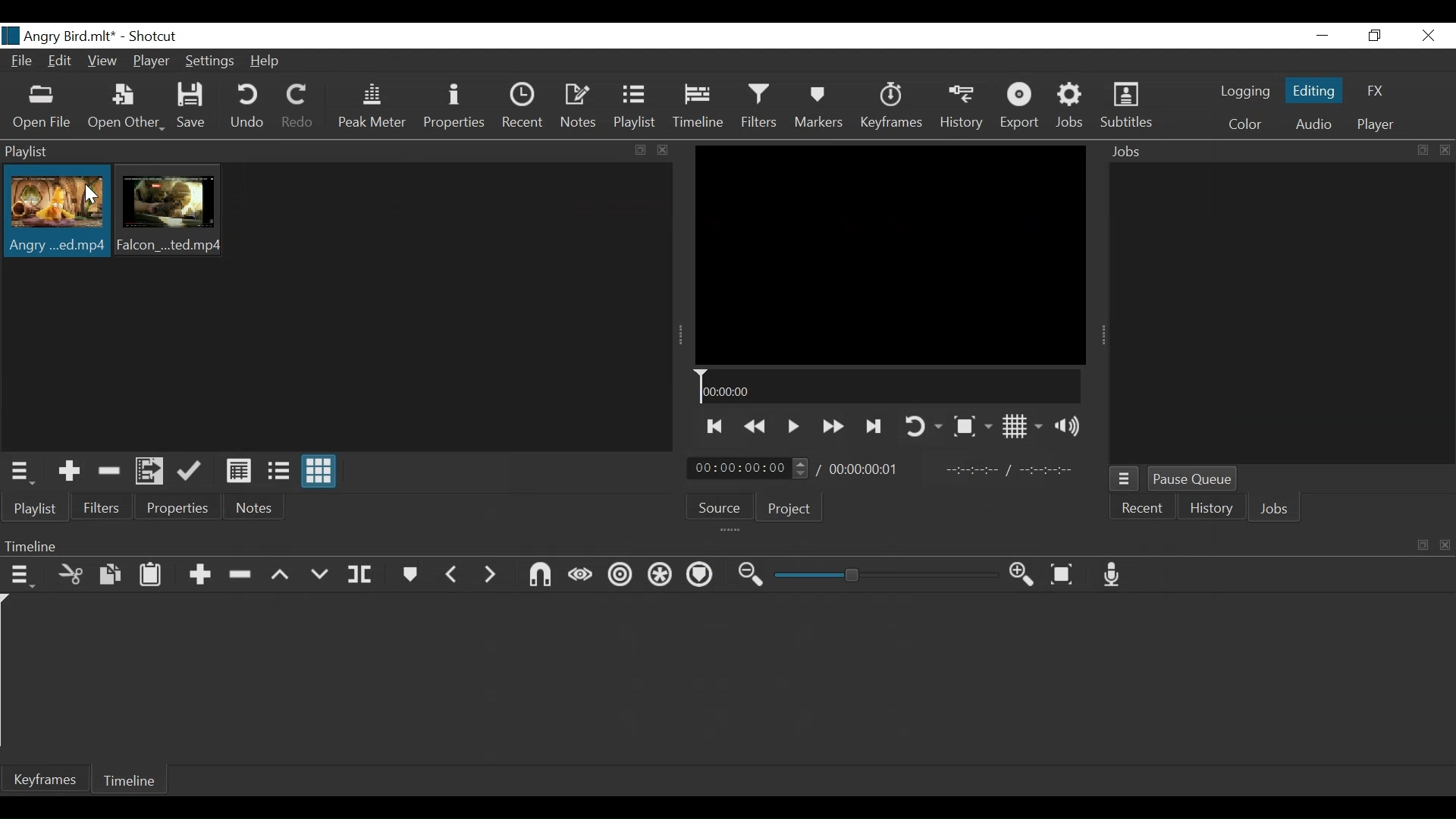 The height and width of the screenshot is (819, 1456). What do you see at coordinates (454, 108) in the screenshot?
I see `Properties` at bounding box center [454, 108].